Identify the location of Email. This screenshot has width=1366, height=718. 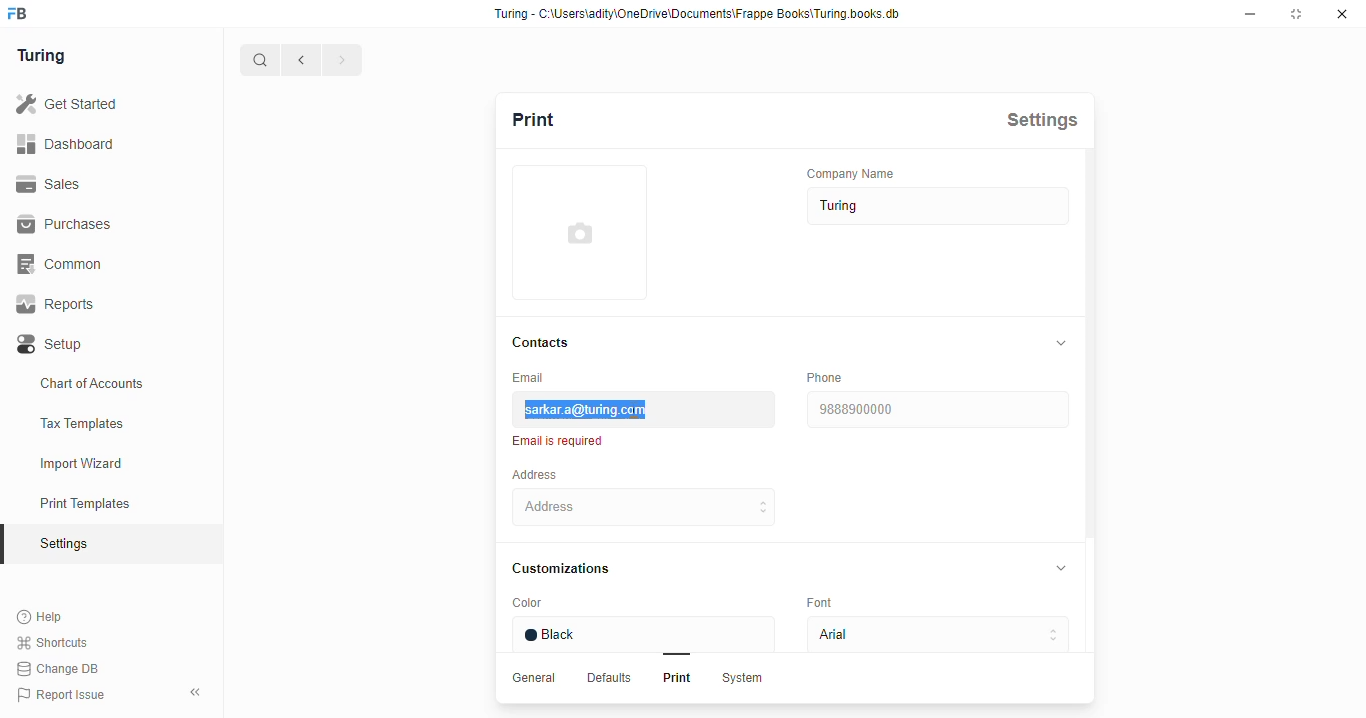
(537, 377).